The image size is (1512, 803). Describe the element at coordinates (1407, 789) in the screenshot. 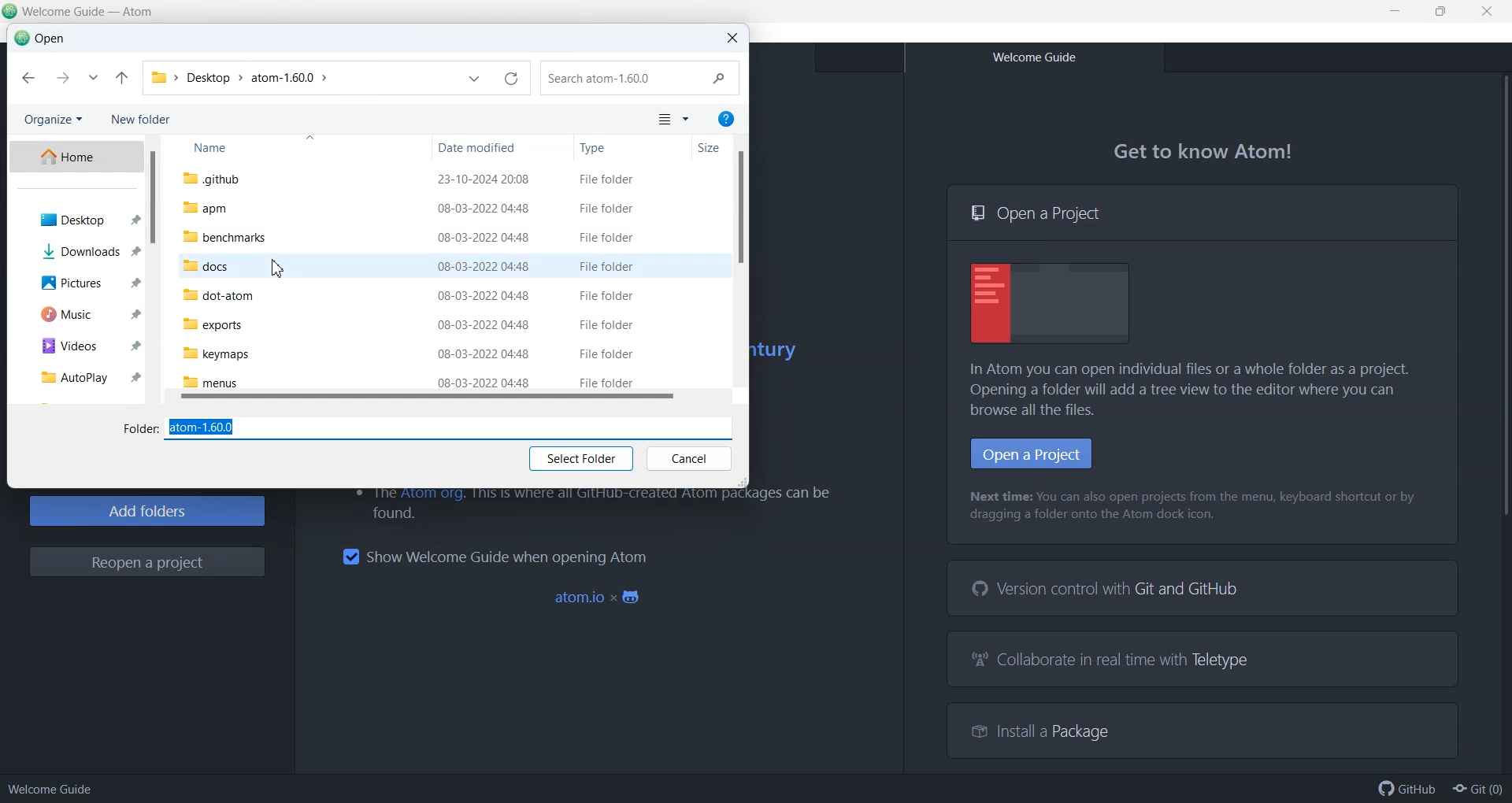

I see `GitHub` at that location.